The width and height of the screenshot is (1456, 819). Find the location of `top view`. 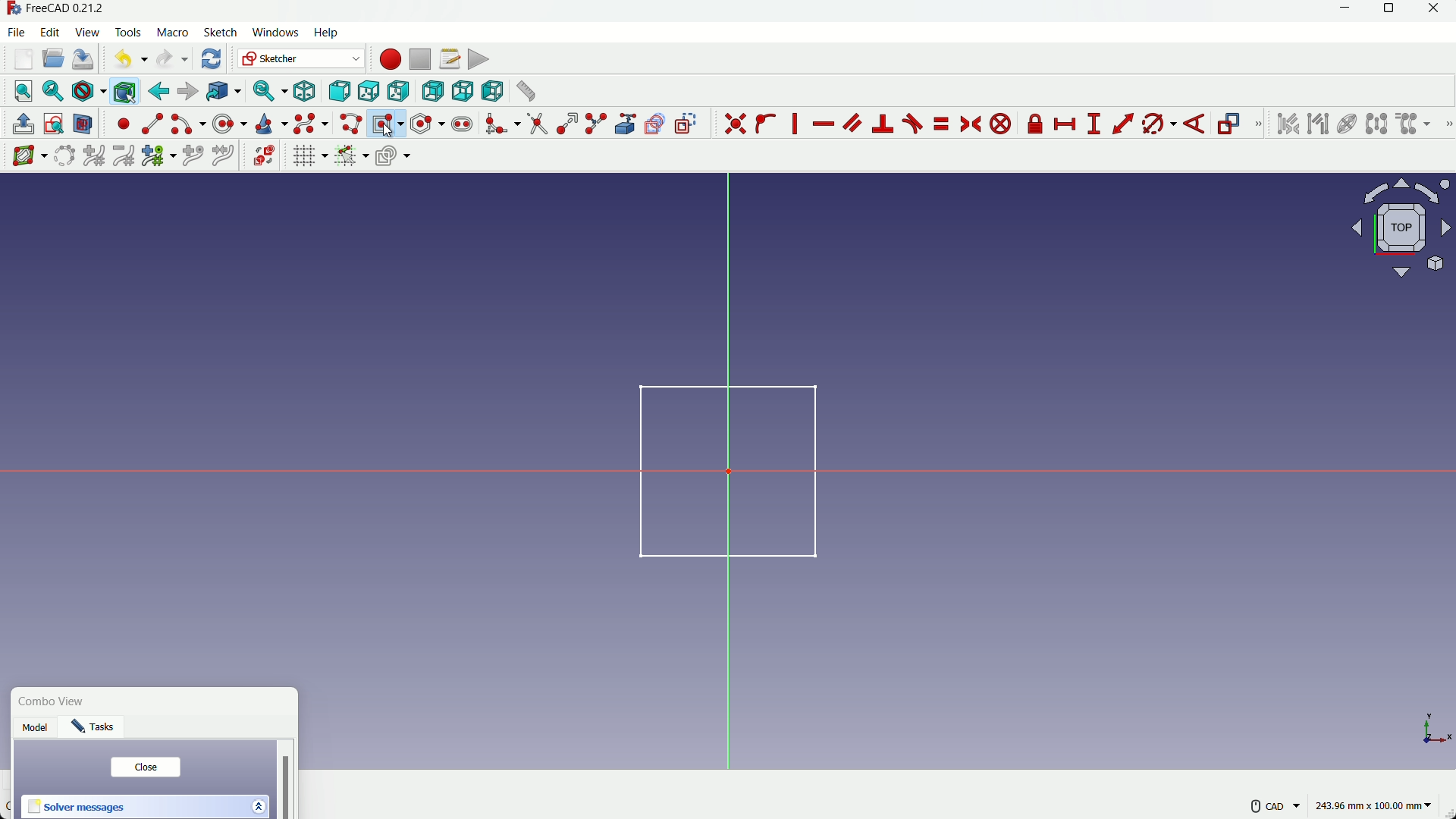

top view is located at coordinates (368, 93).